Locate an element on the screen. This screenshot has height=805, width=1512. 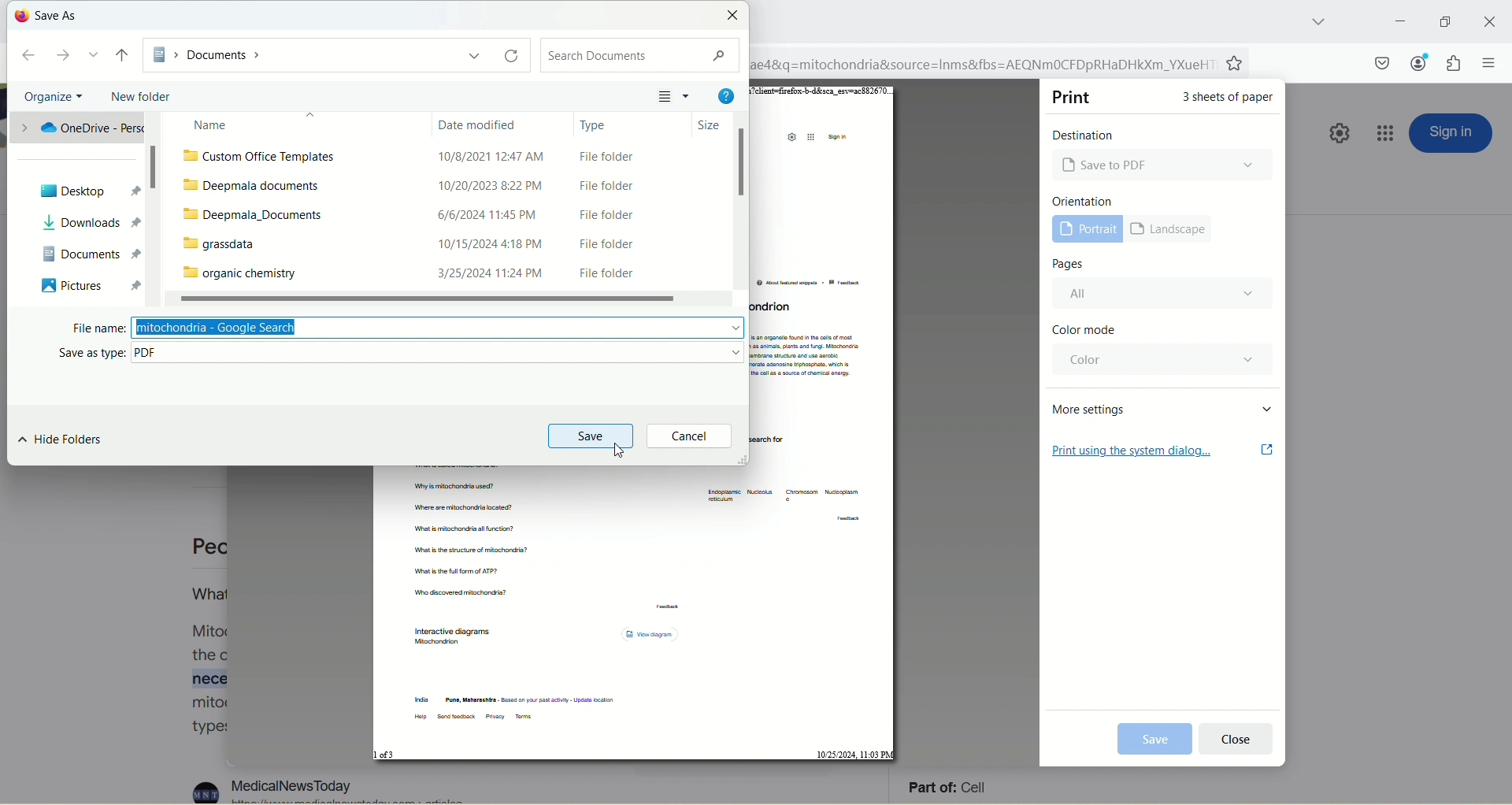
orientation is located at coordinates (1086, 201).